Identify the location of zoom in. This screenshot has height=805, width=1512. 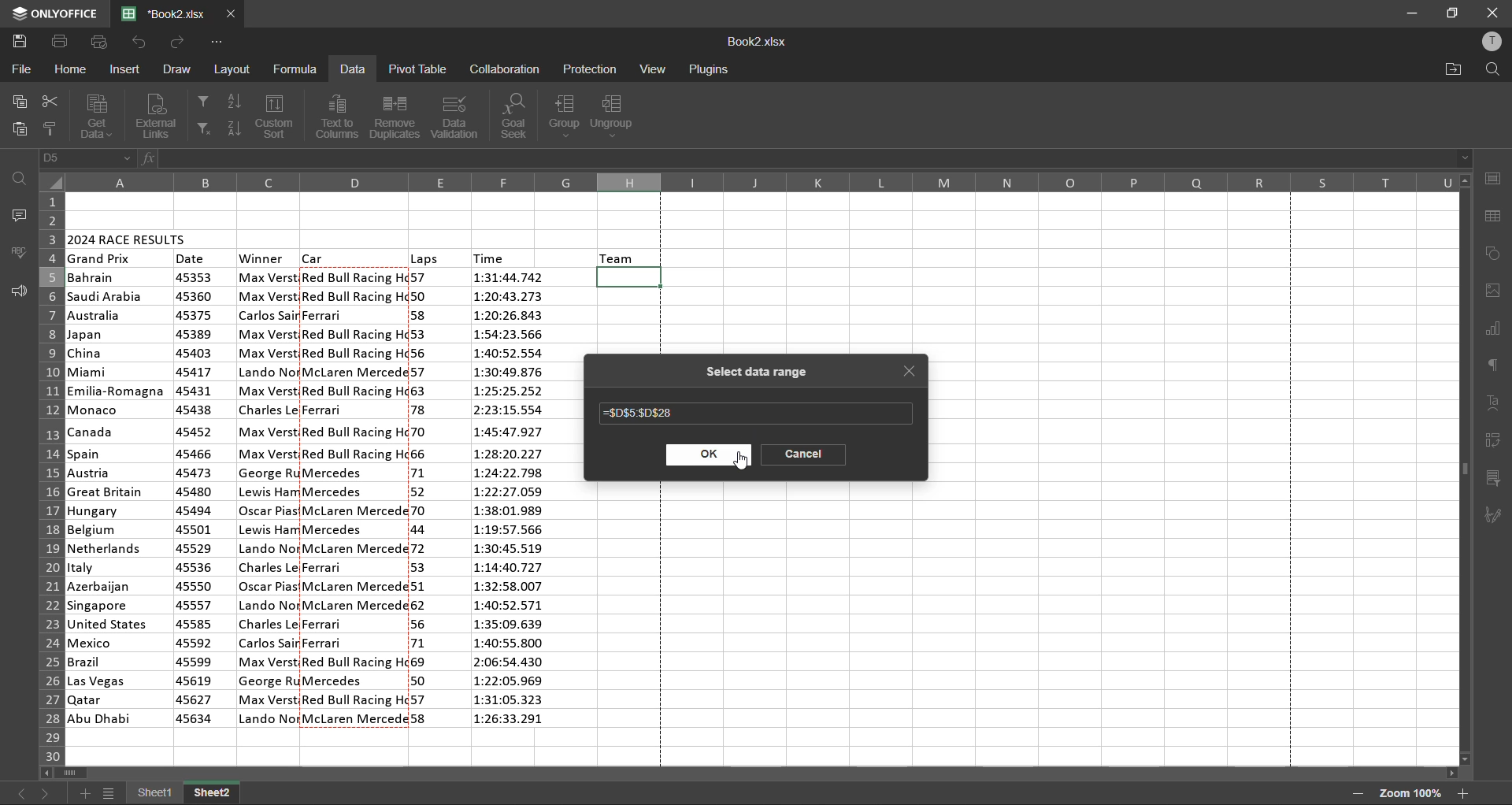
(1463, 793).